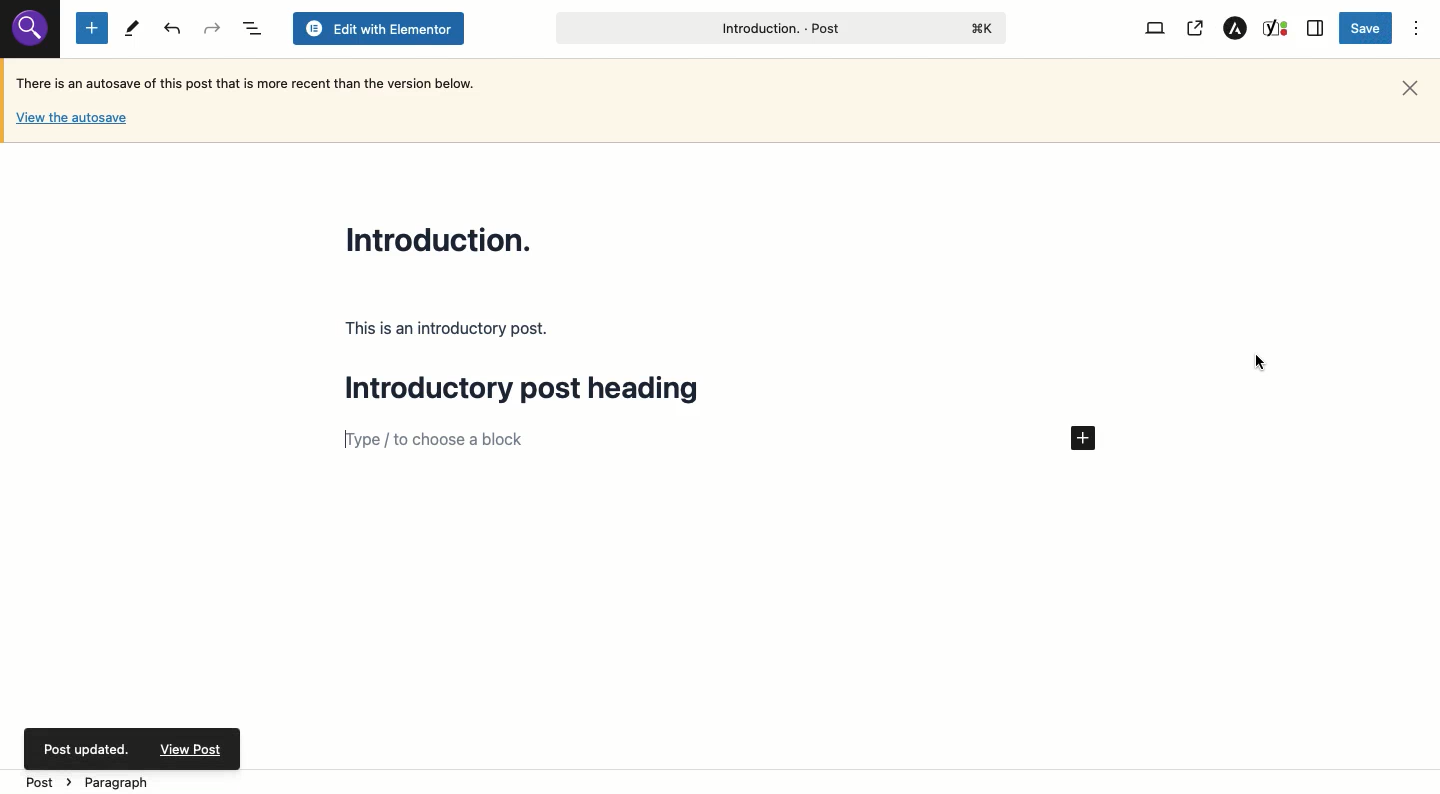 The height and width of the screenshot is (794, 1440). I want to click on Close, so click(1410, 89).